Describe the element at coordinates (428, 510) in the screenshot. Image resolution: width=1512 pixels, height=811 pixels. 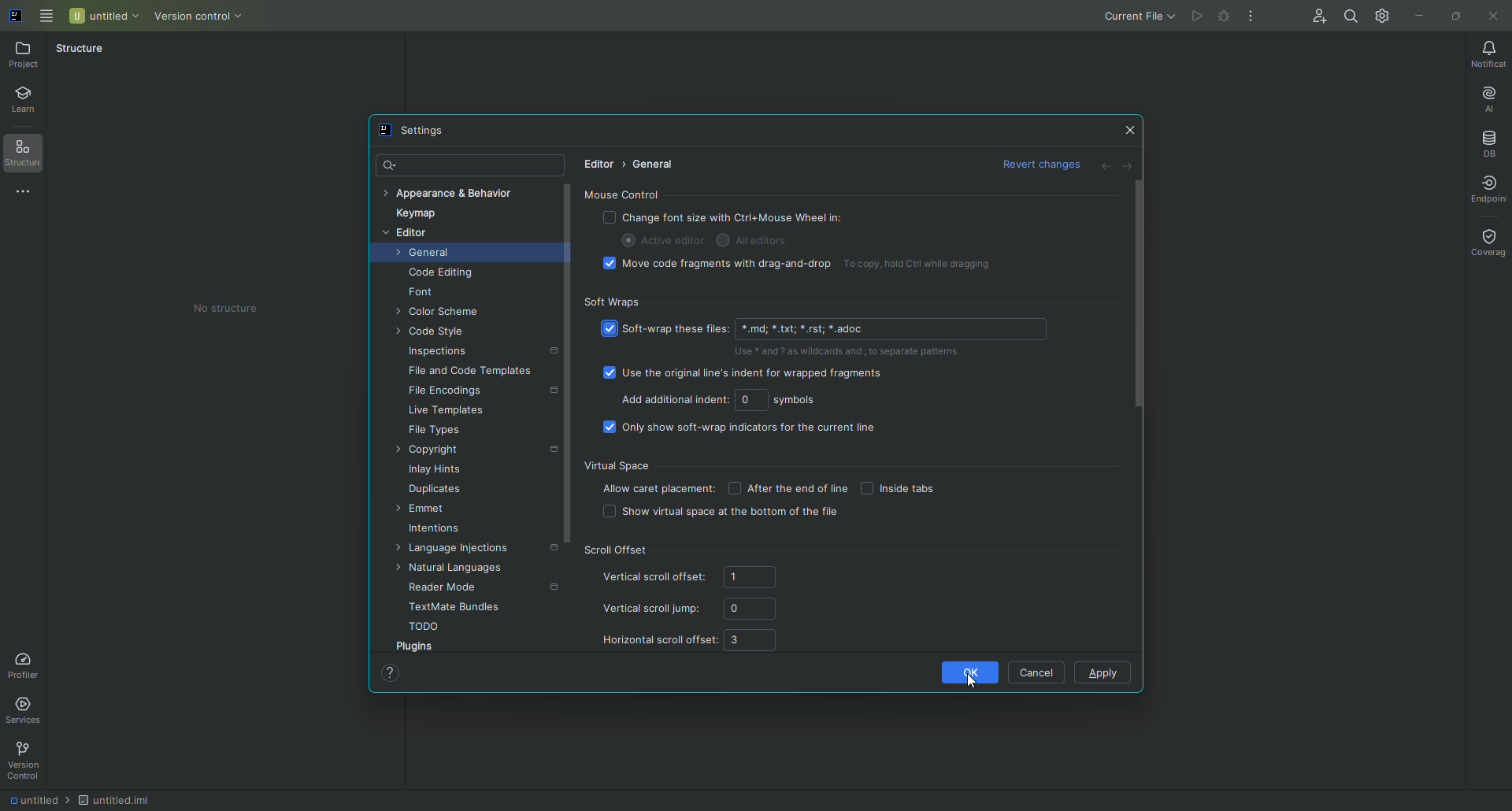
I see `Emmet` at that location.